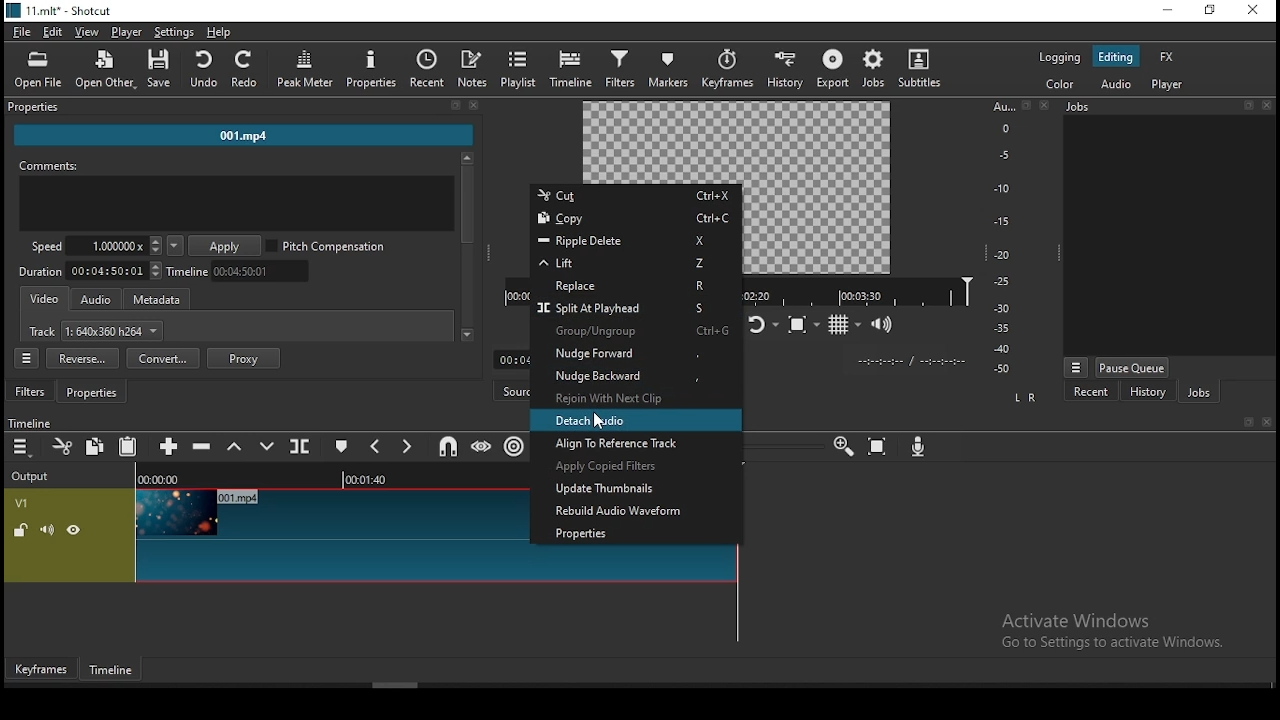  Describe the element at coordinates (1059, 83) in the screenshot. I see `color` at that location.